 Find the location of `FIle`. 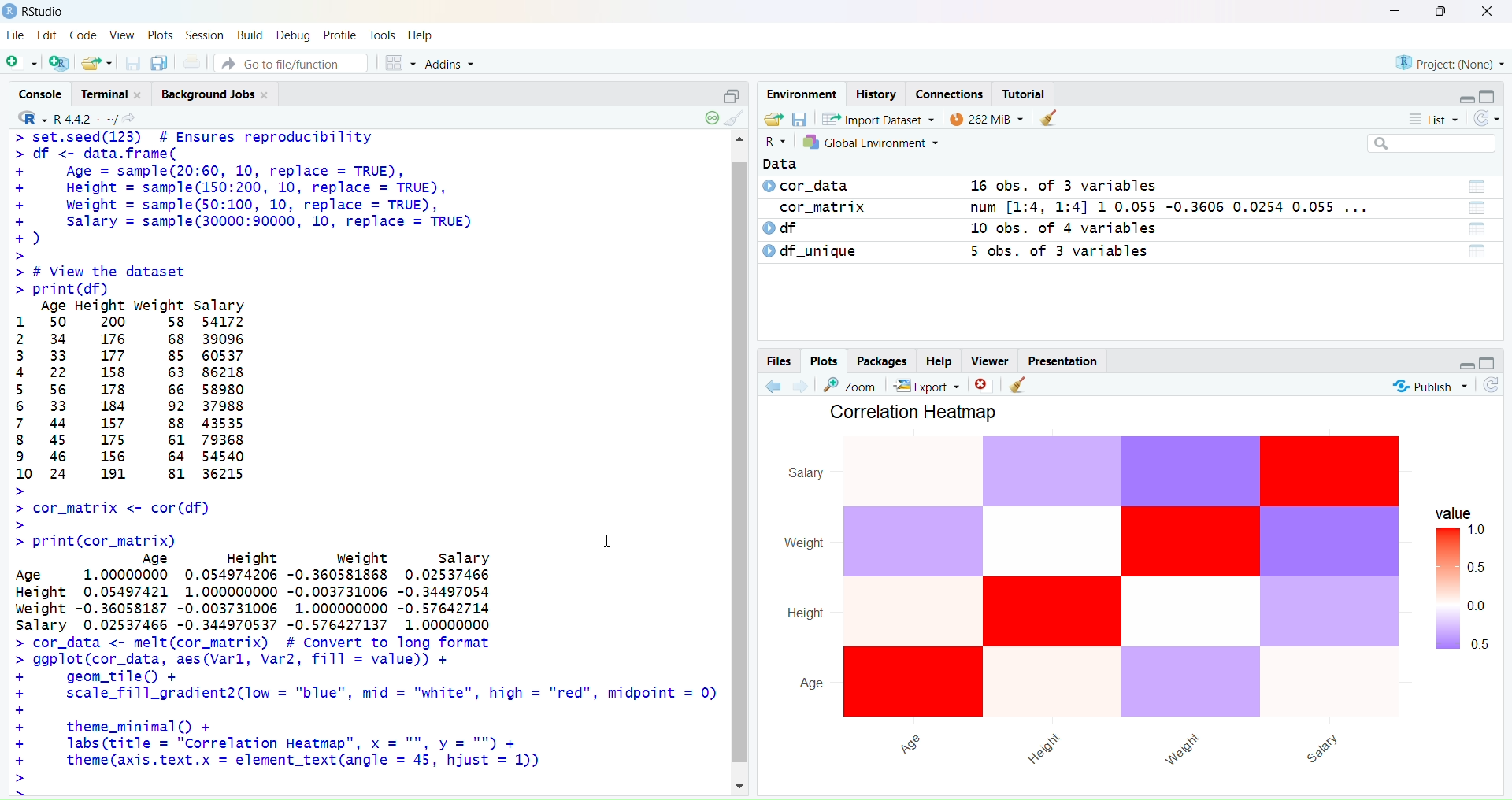

FIle is located at coordinates (16, 35).